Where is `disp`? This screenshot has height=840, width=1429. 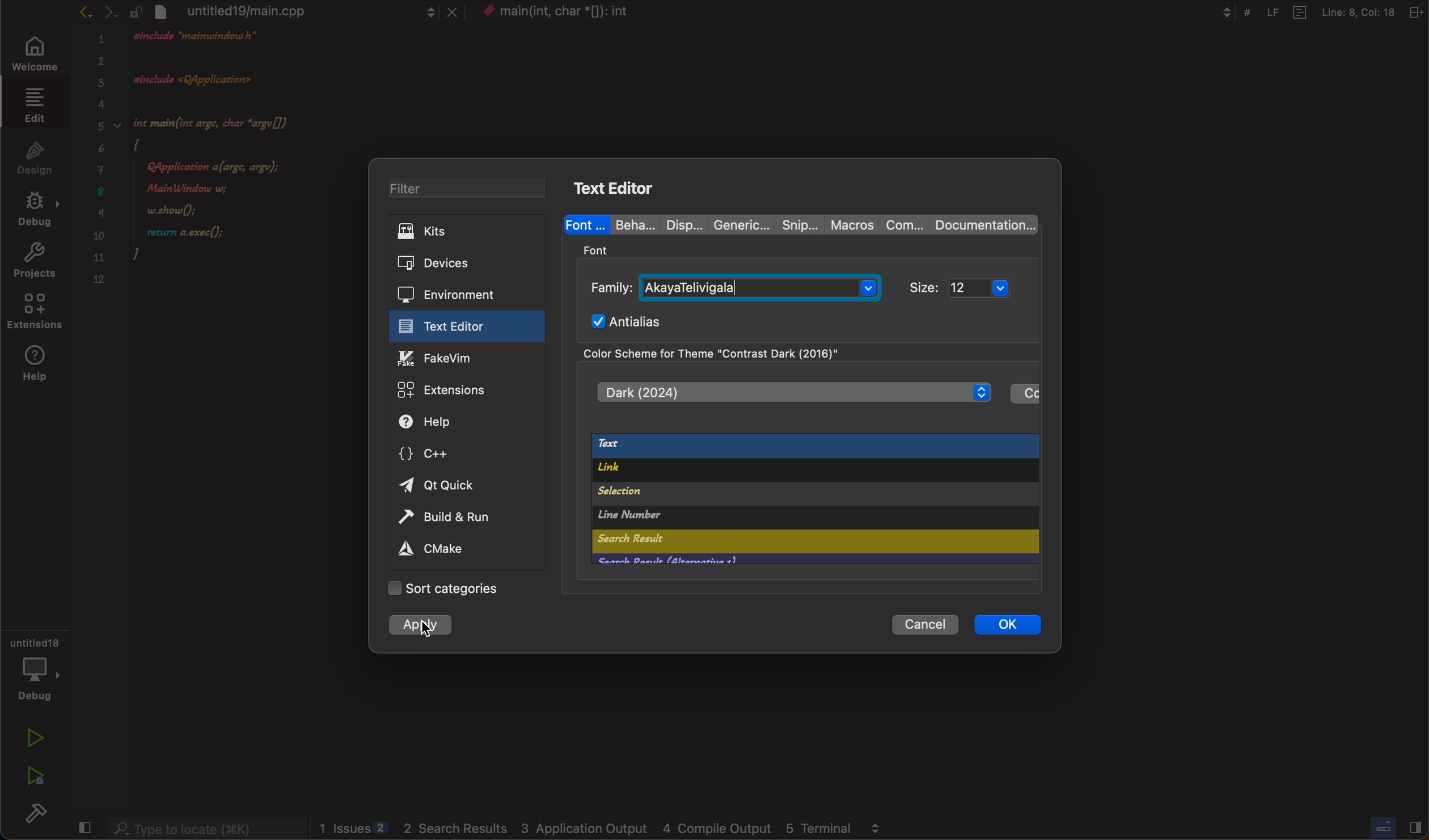
disp is located at coordinates (677, 224).